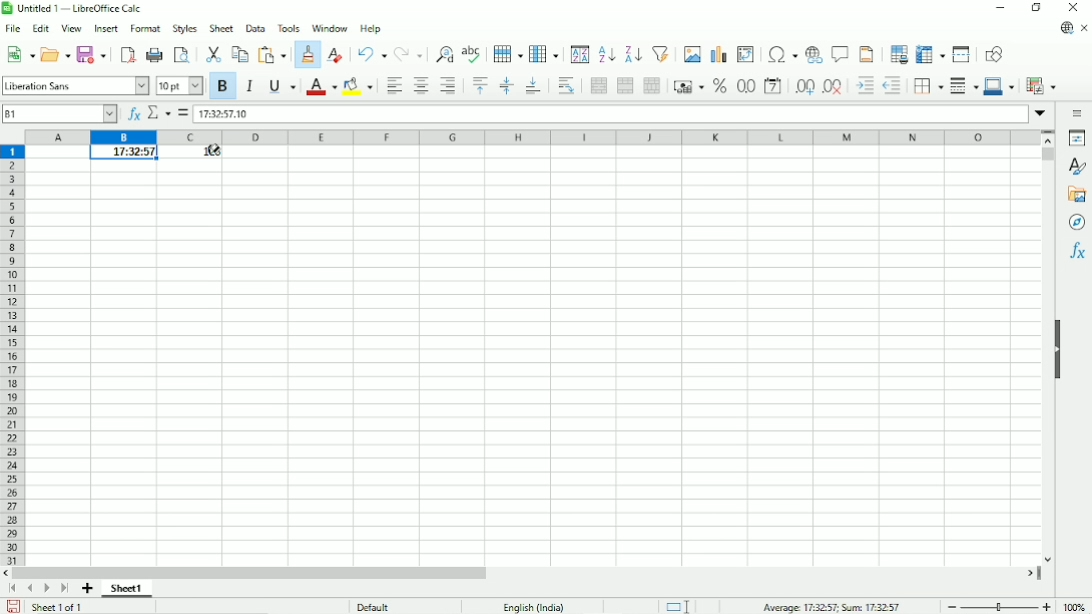 The image size is (1092, 614). I want to click on Function wizard, so click(130, 113).